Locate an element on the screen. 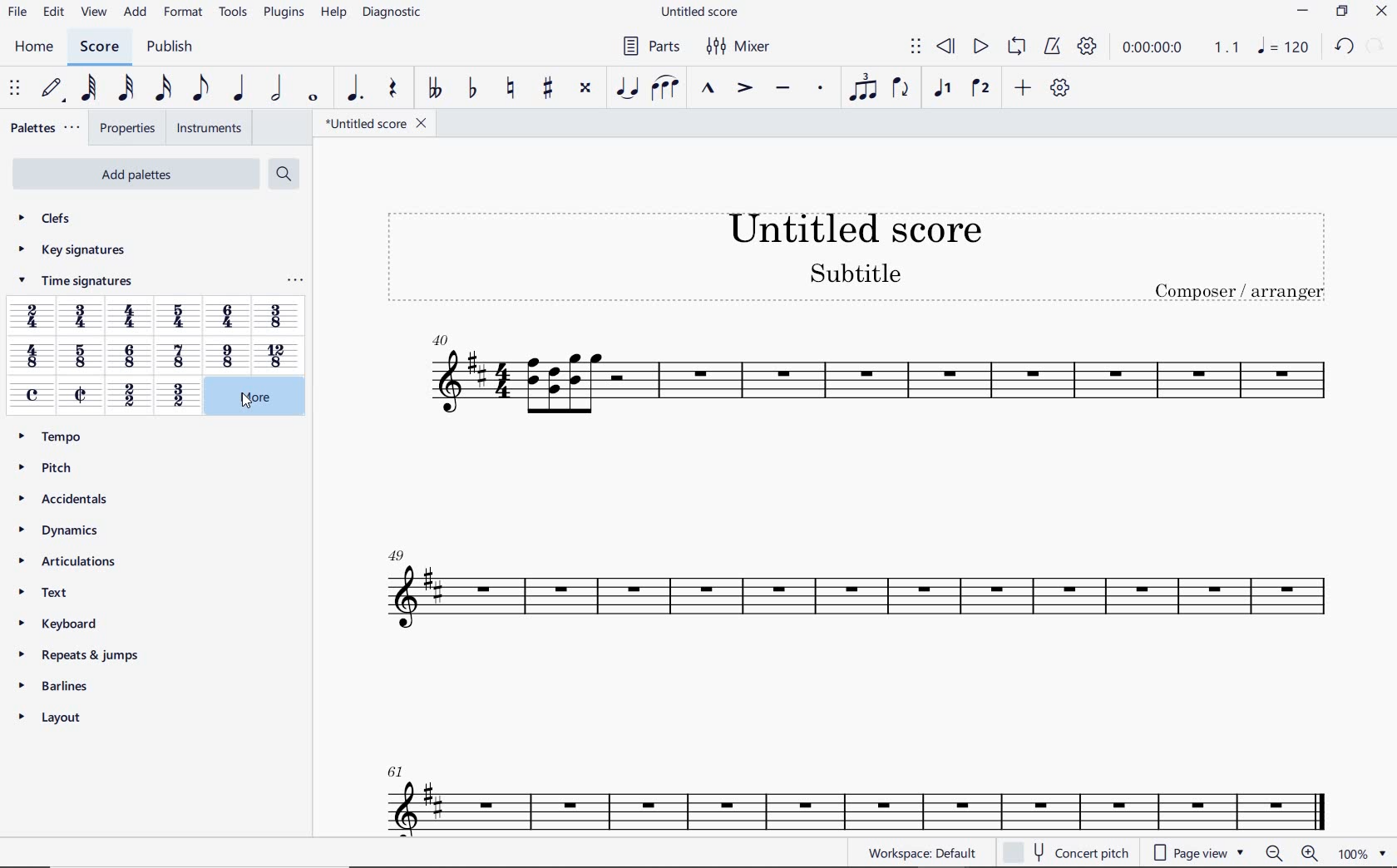  ARTICULATIONS is located at coordinates (66, 561).